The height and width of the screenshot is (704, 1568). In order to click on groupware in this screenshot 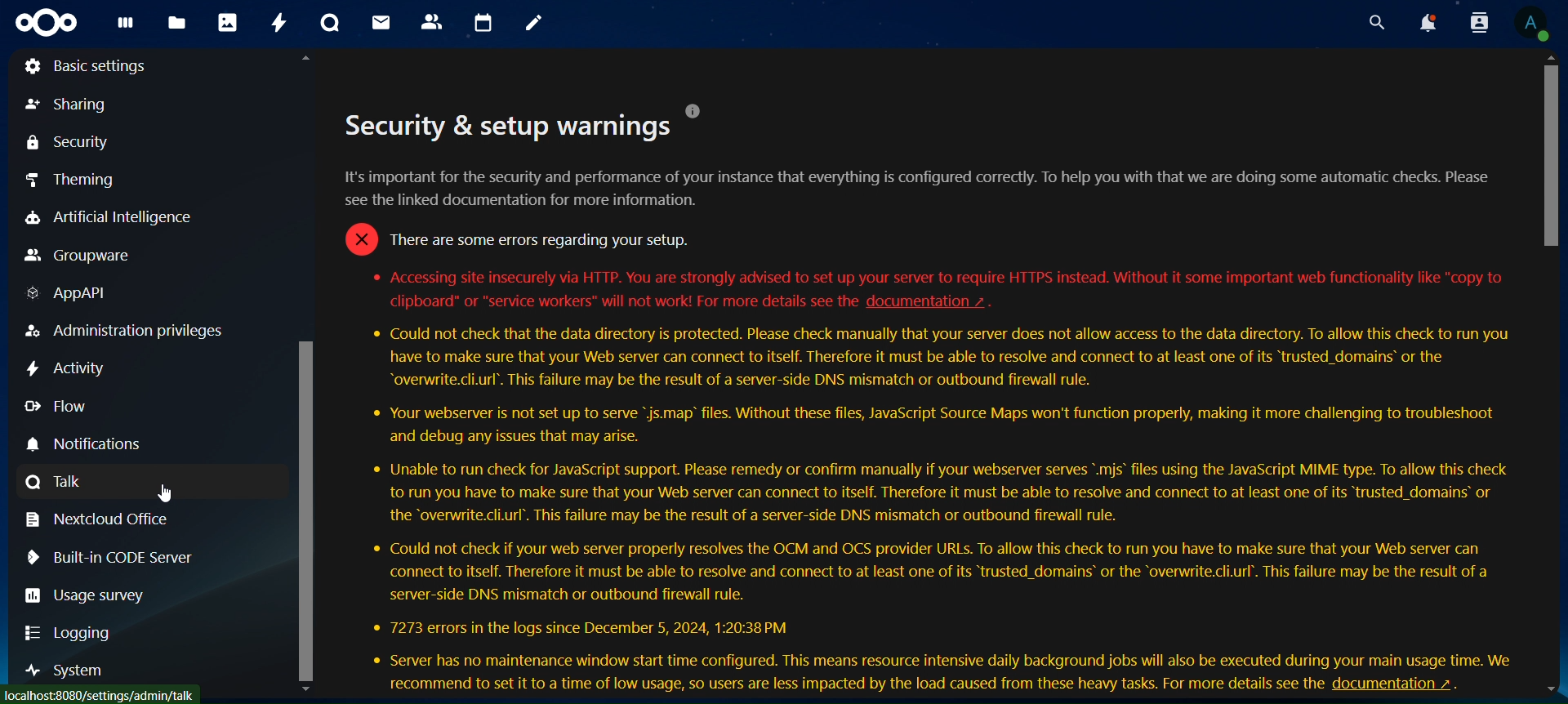, I will do `click(85, 255)`.